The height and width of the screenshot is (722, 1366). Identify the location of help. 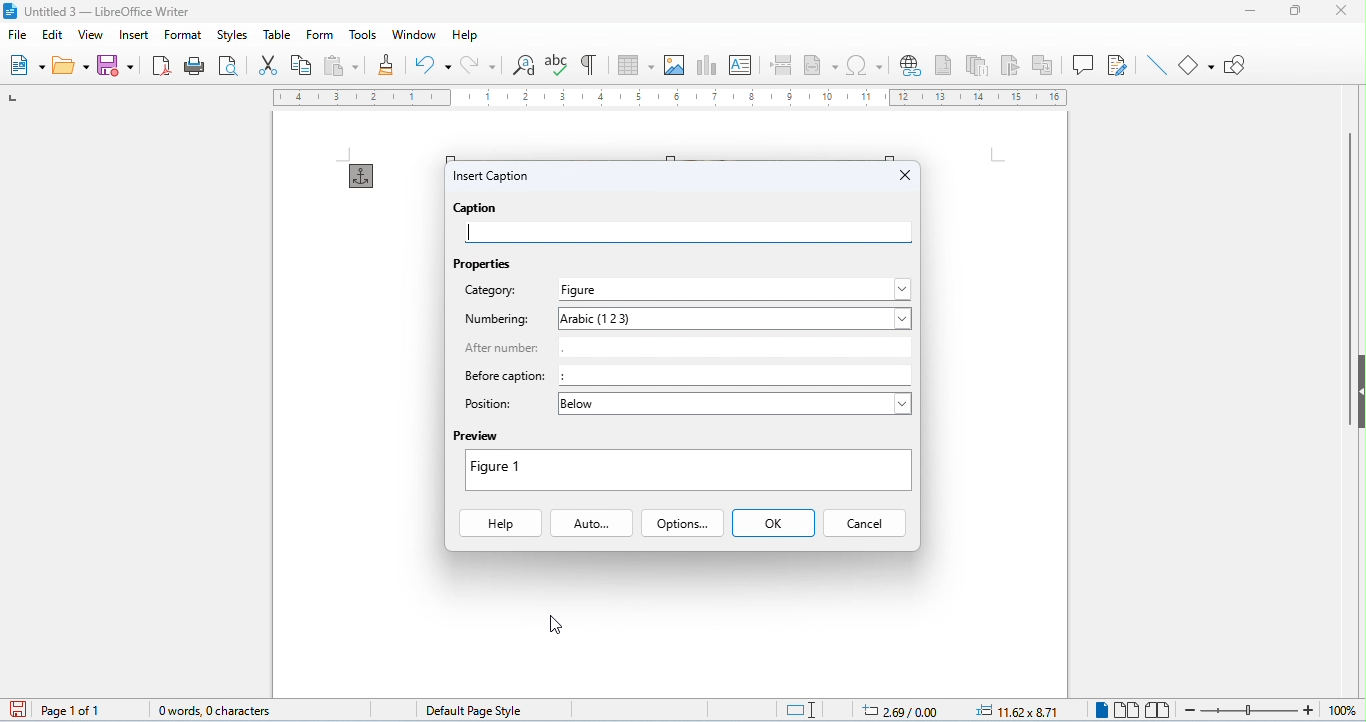
(465, 35).